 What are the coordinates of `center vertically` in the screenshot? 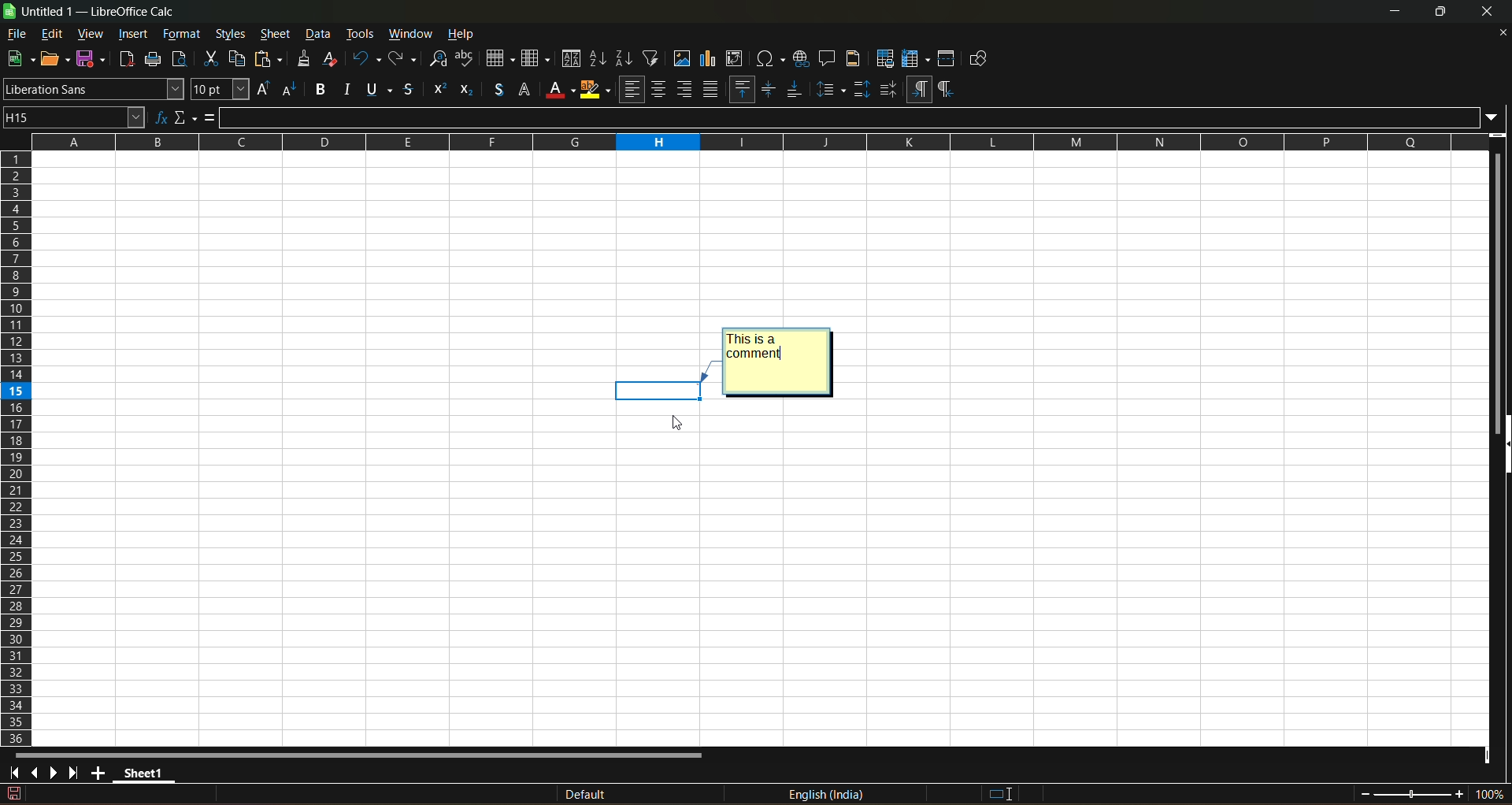 It's located at (547, 89).